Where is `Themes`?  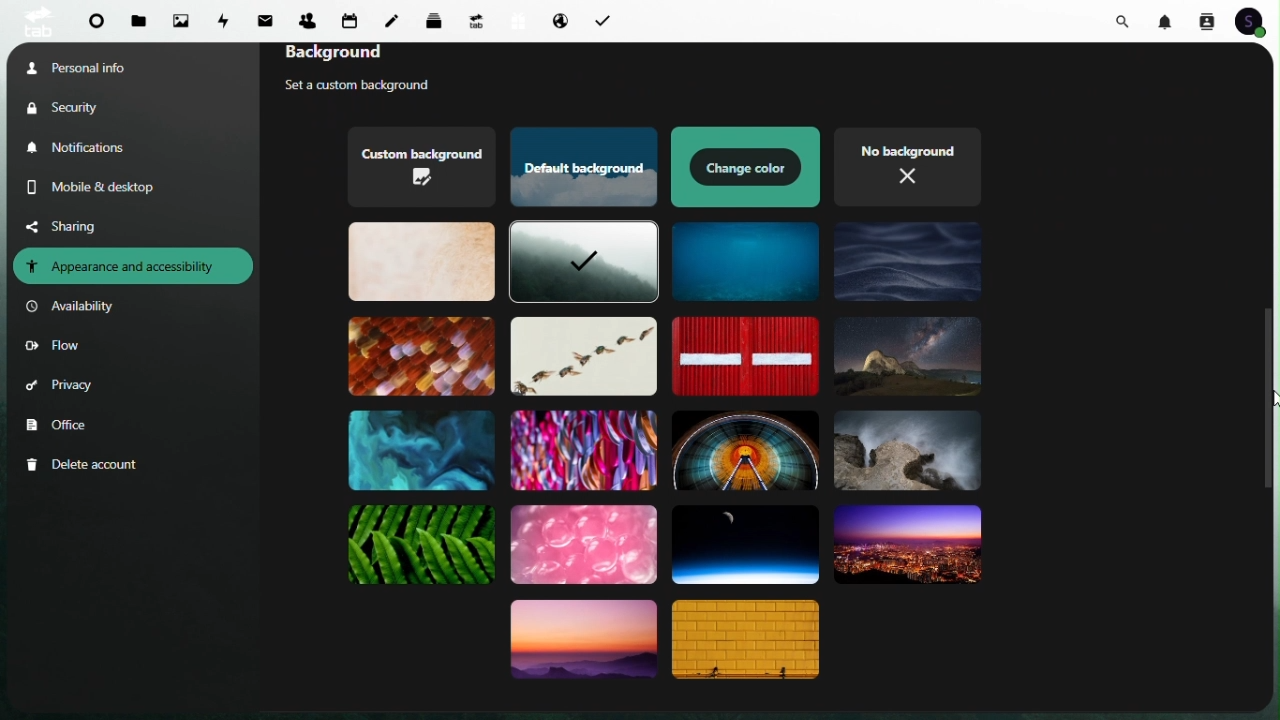
Themes is located at coordinates (420, 355).